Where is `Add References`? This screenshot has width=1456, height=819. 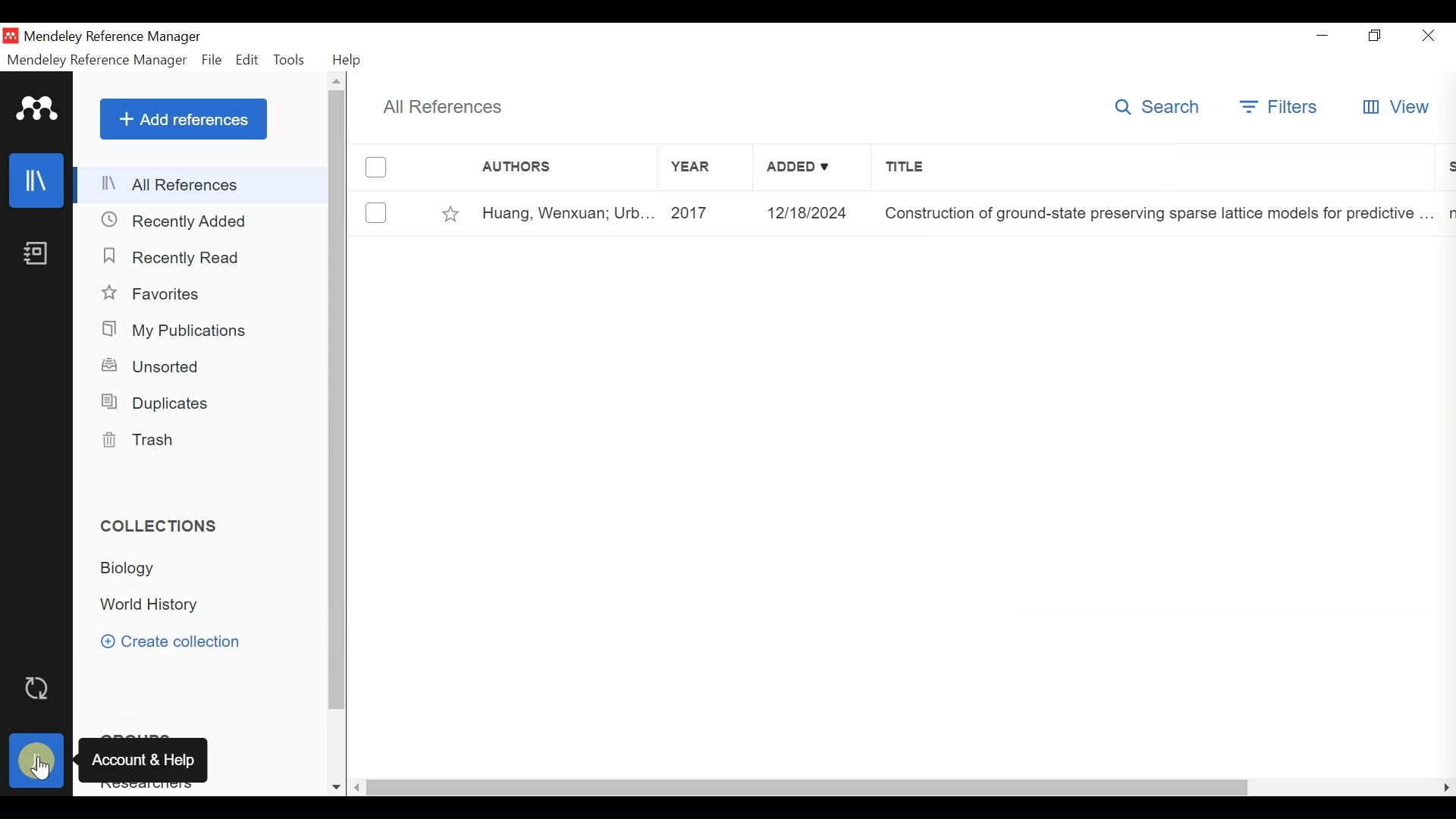 Add References is located at coordinates (185, 120).